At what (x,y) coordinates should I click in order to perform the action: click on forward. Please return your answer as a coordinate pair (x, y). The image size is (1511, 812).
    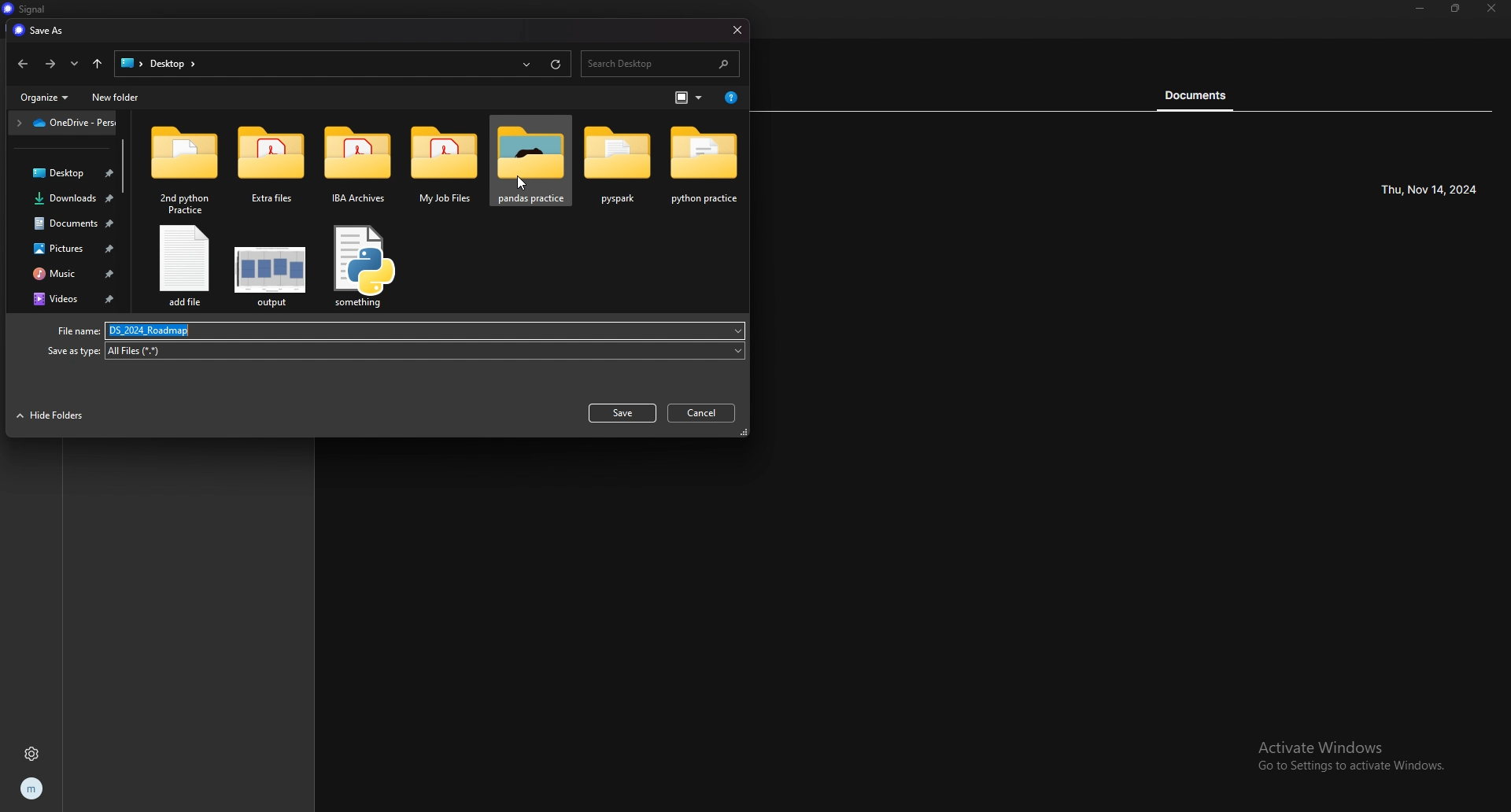
    Looking at the image, I should click on (50, 63).